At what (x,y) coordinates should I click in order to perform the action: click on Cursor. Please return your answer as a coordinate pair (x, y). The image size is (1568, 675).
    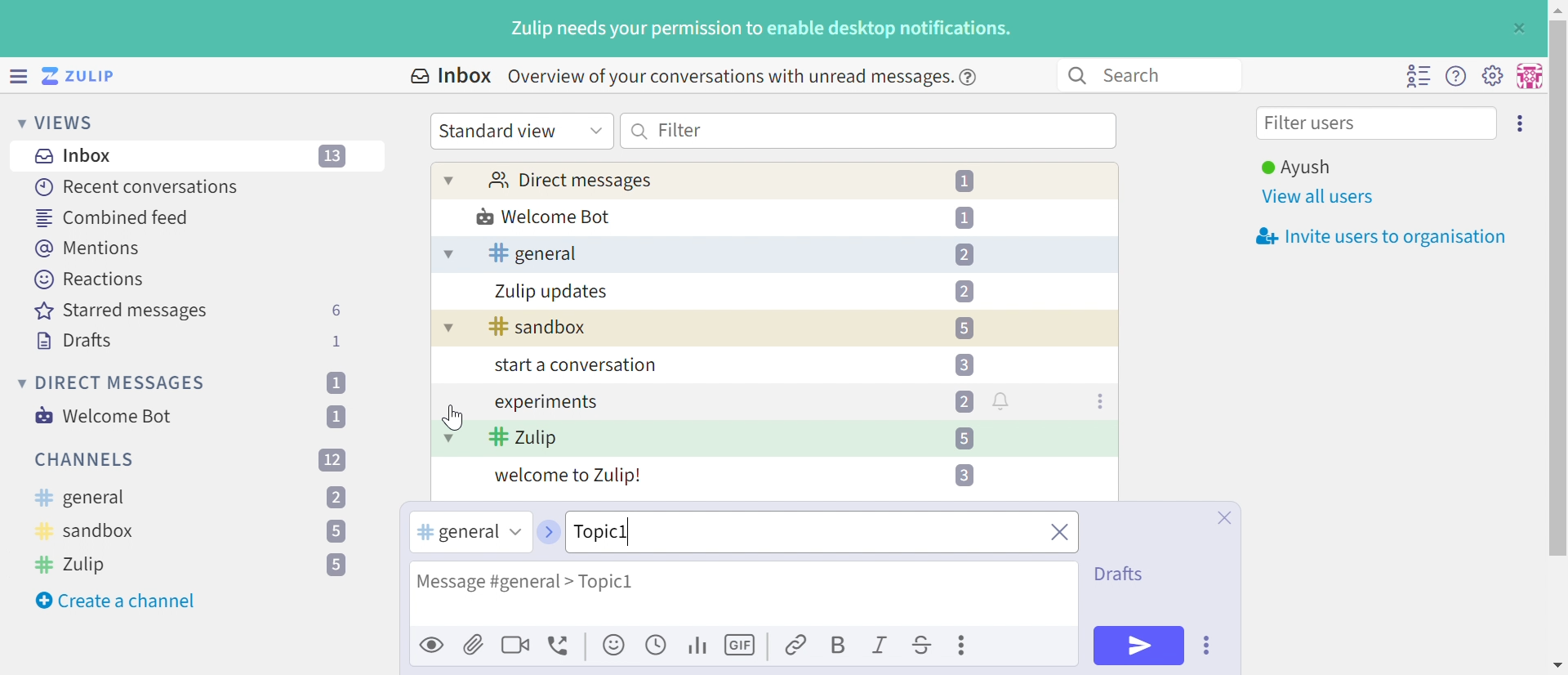
    Looking at the image, I should click on (455, 416).